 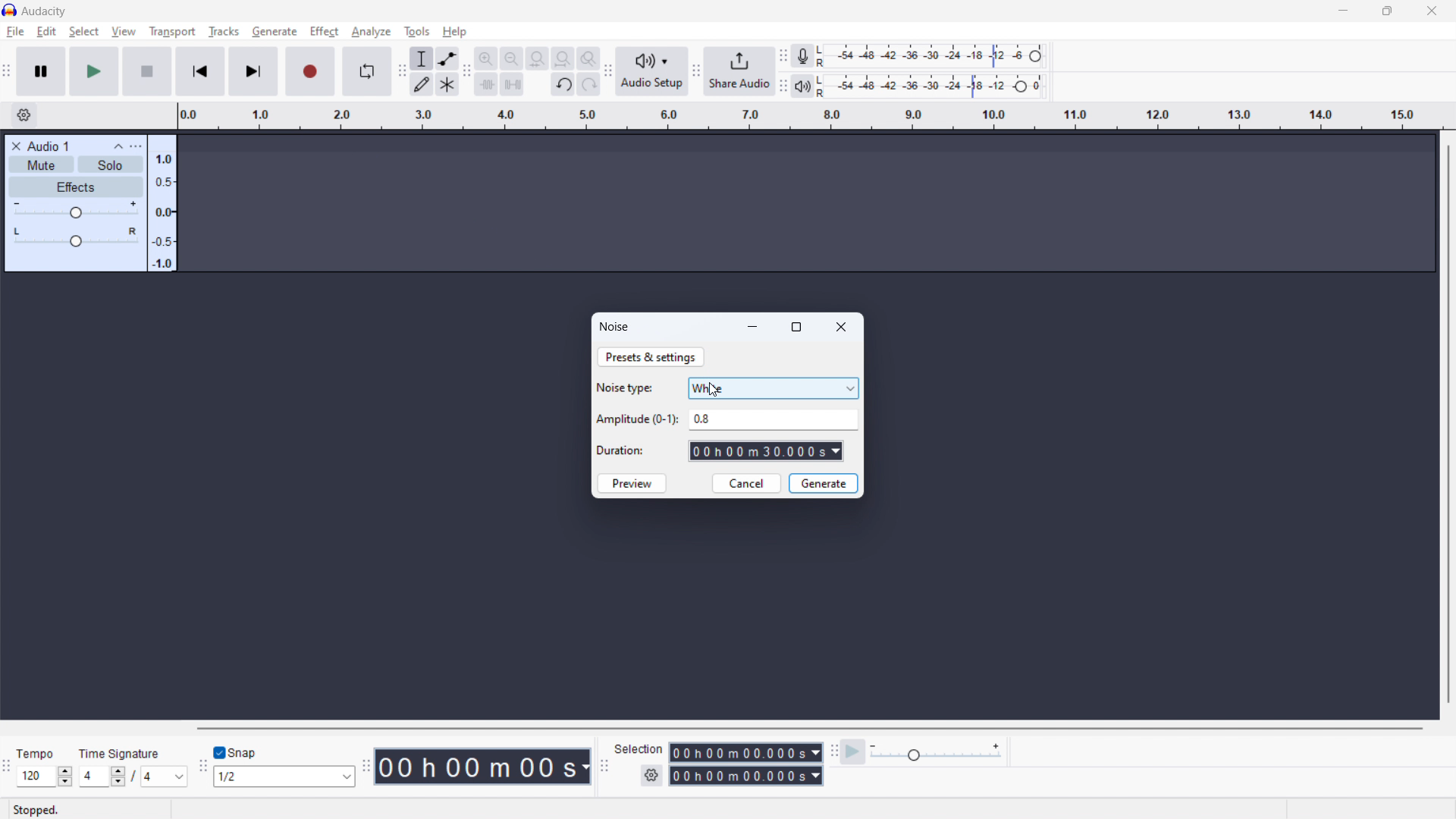 I want to click on prestes & settings, so click(x=651, y=358).